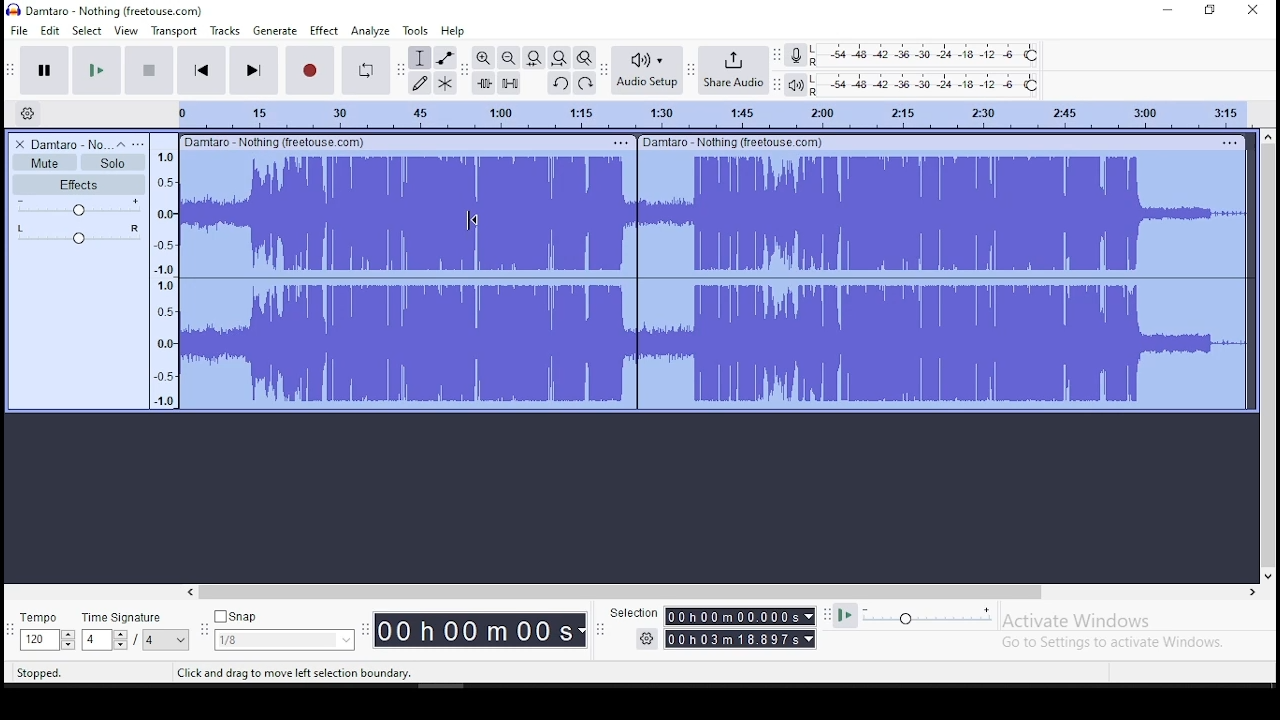 The width and height of the screenshot is (1280, 720). Describe the element at coordinates (740, 639) in the screenshot. I see `time menu` at that location.